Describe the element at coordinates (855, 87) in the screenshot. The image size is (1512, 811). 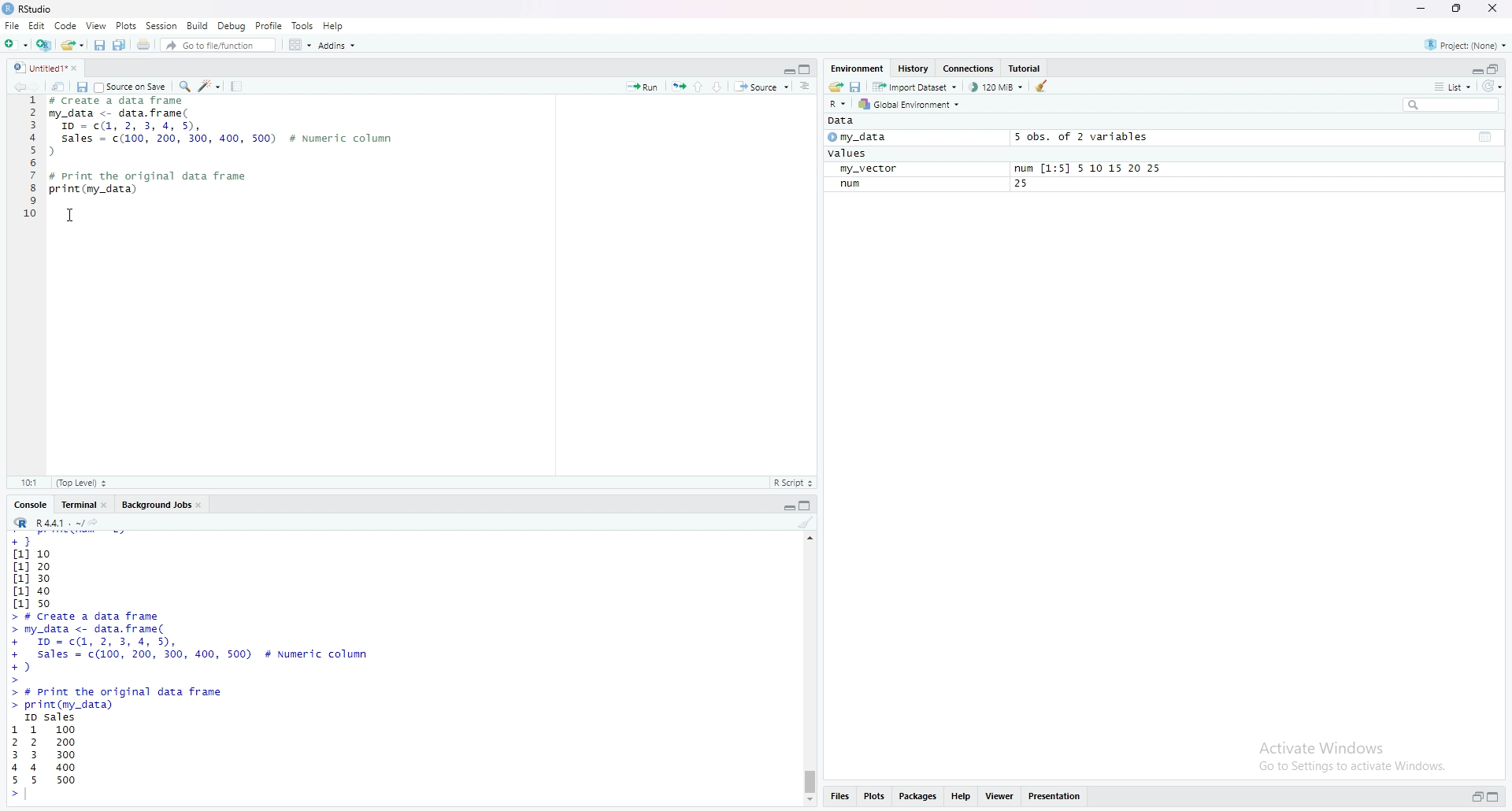
I see `save workspace as` at that location.